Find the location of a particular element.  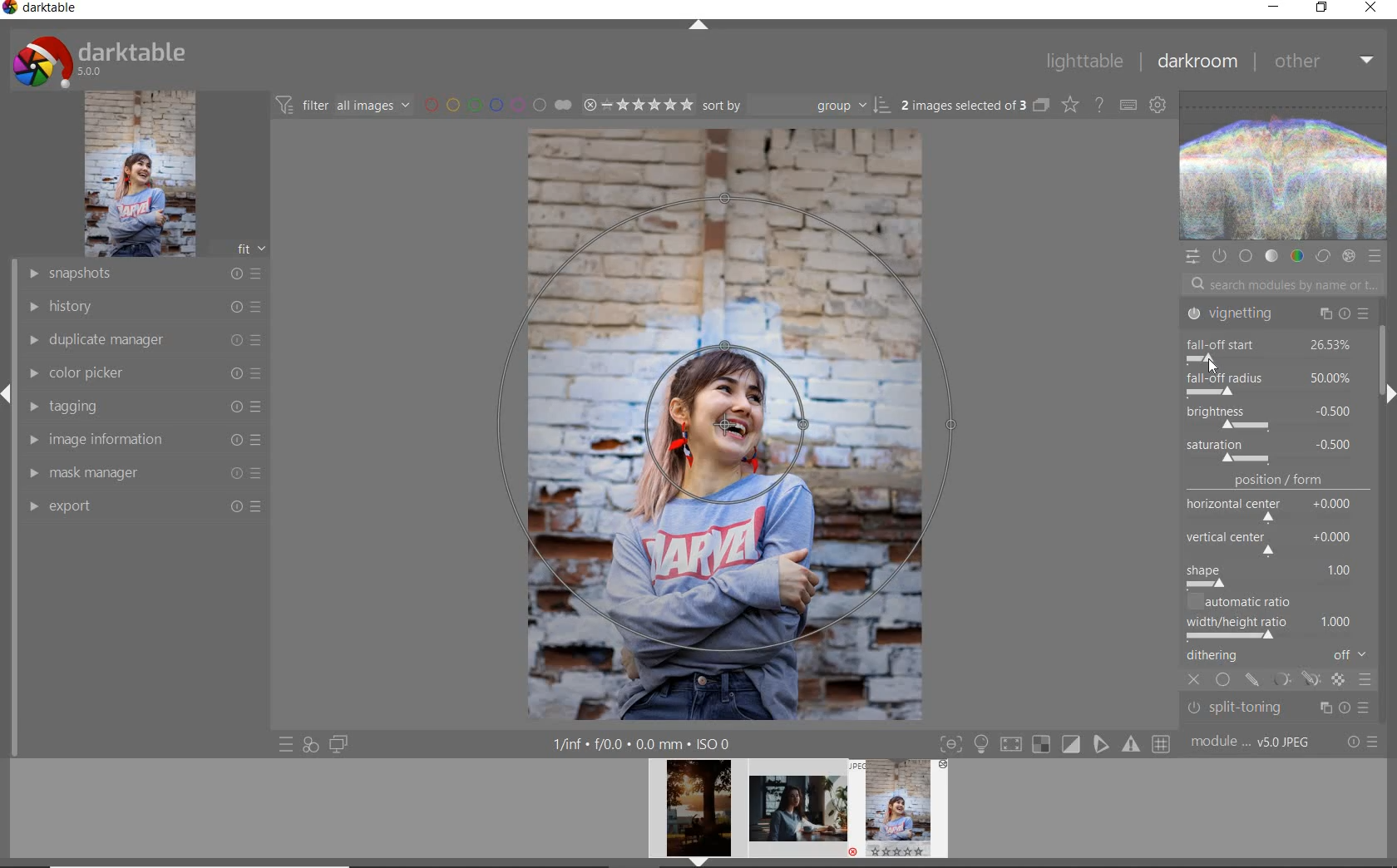

OTHER is located at coordinates (1324, 61).